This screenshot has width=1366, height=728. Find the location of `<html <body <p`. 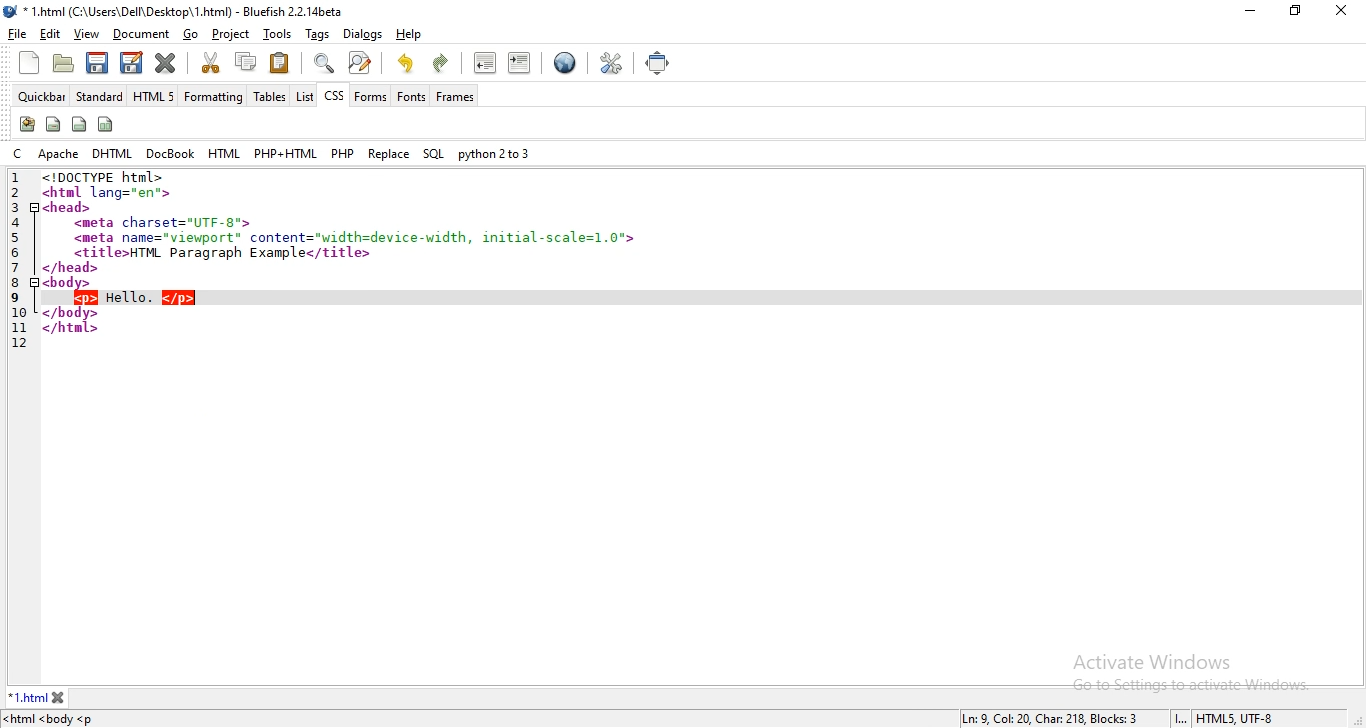

<html <body <p is located at coordinates (55, 720).